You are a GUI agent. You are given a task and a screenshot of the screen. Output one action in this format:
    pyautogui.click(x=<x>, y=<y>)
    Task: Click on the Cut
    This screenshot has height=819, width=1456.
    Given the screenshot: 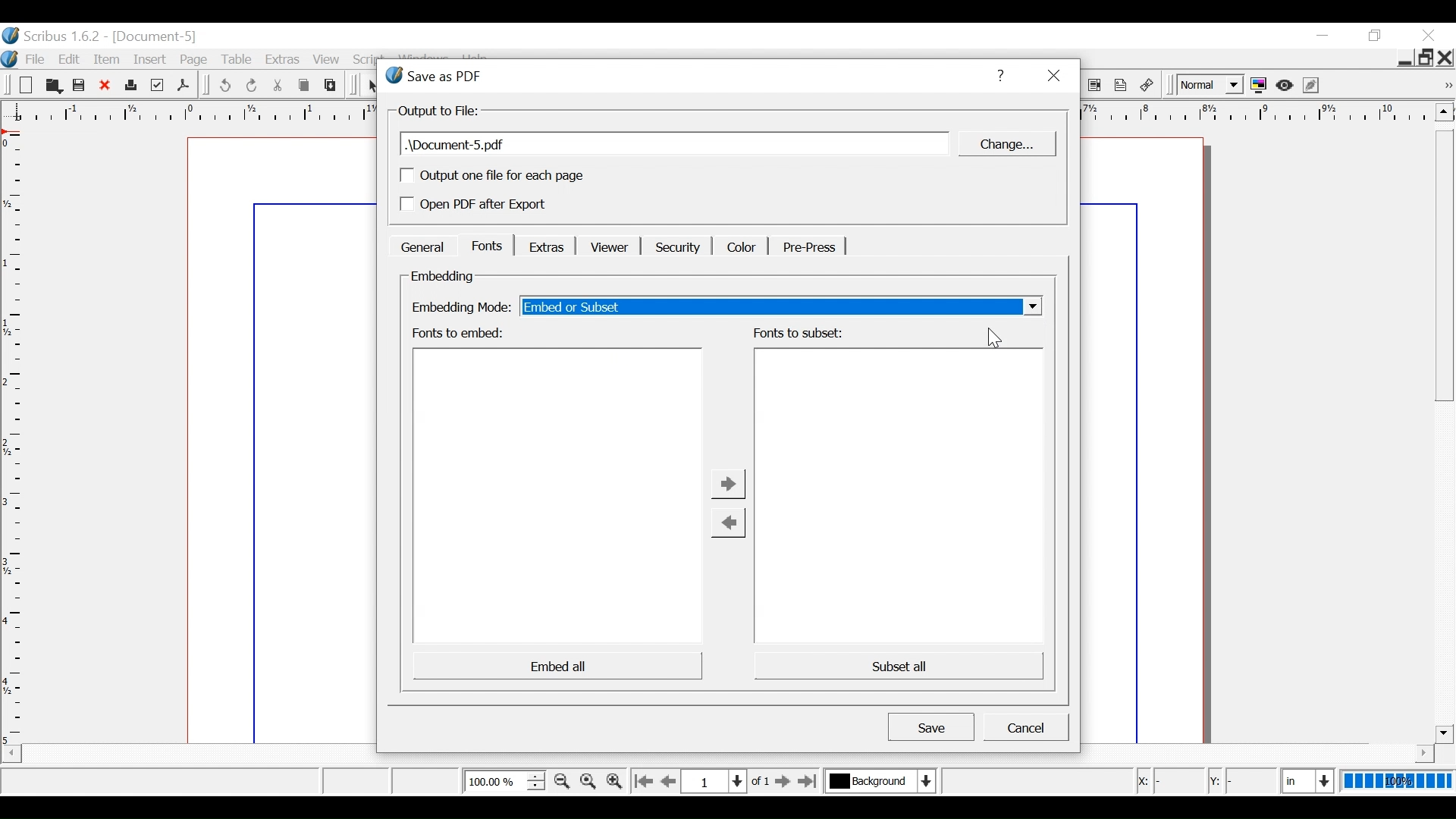 What is the action you would take?
    pyautogui.click(x=278, y=86)
    